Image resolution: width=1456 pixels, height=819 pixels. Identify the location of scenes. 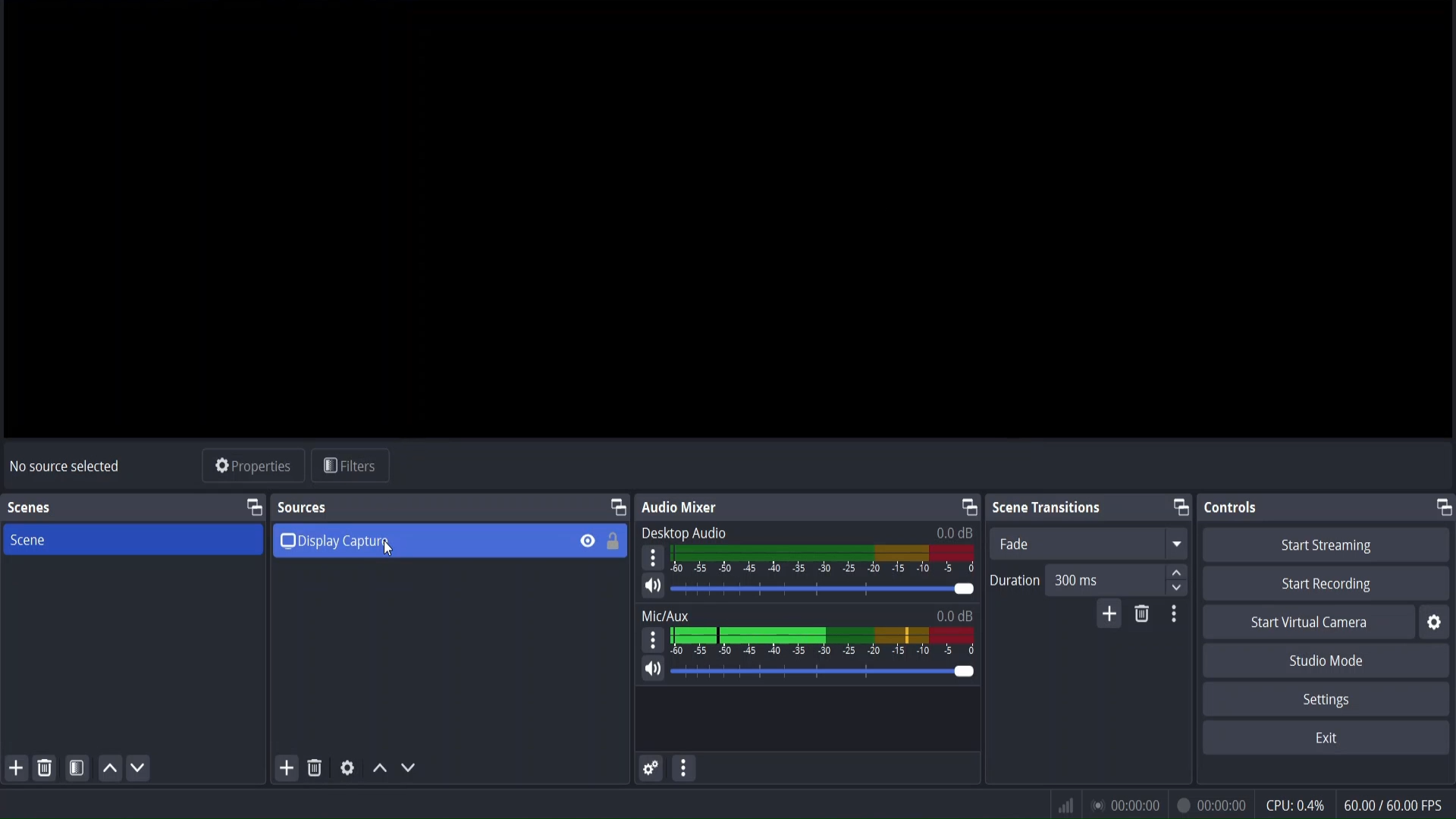
(30, 508).